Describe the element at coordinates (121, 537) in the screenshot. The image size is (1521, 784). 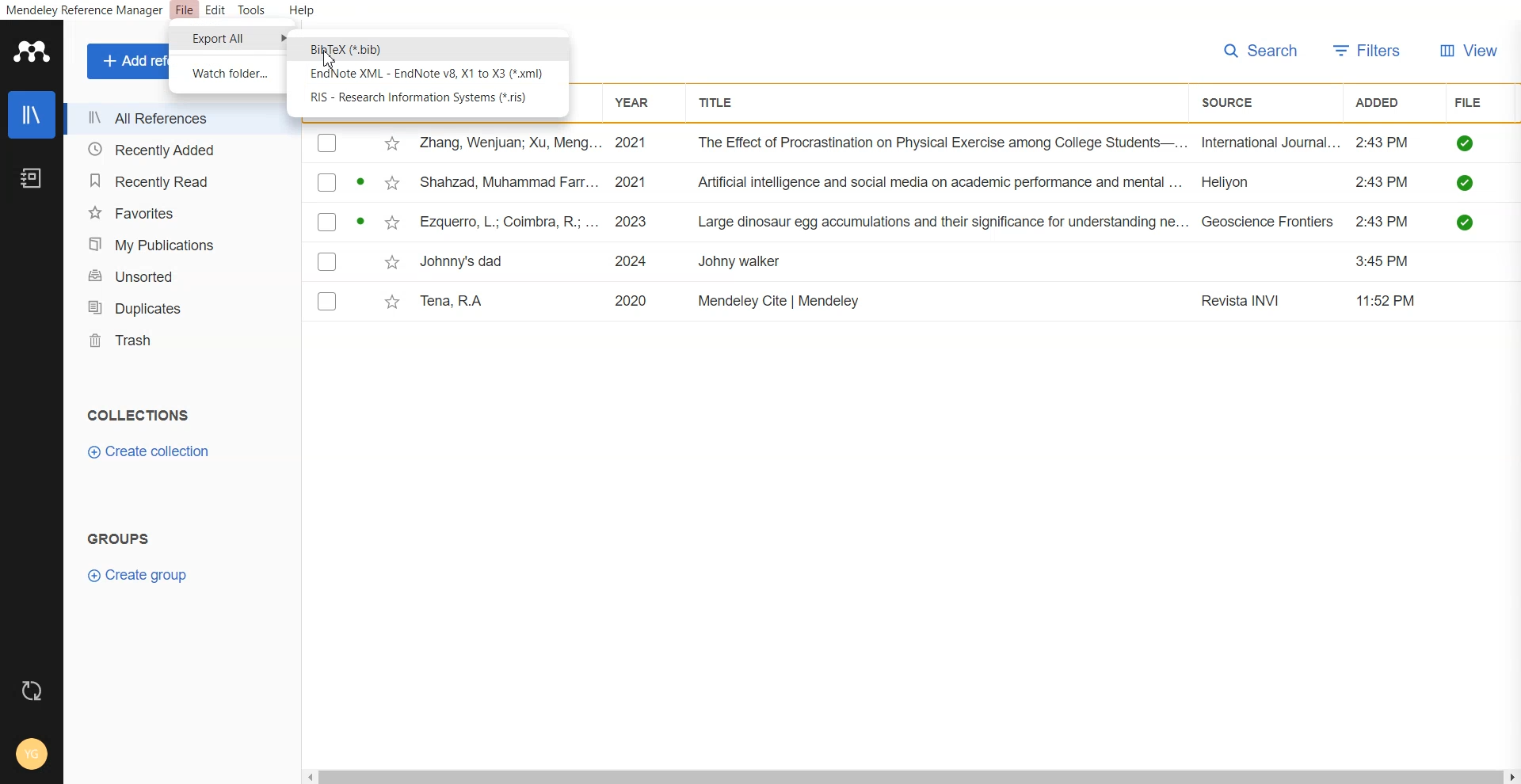
I see `Text` at that location.